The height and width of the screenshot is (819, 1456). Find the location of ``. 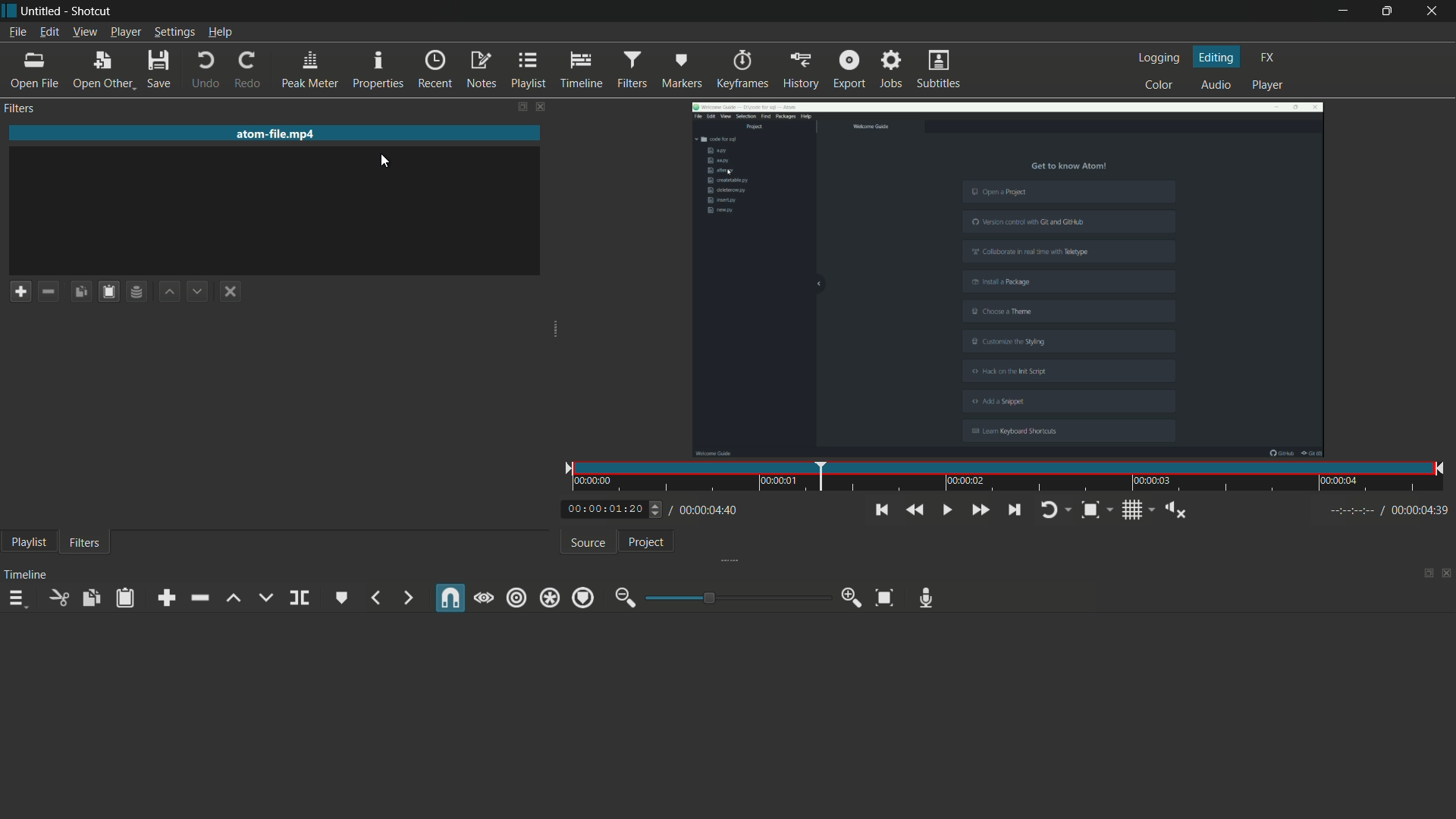

 is located at coordinates (1389, 511).